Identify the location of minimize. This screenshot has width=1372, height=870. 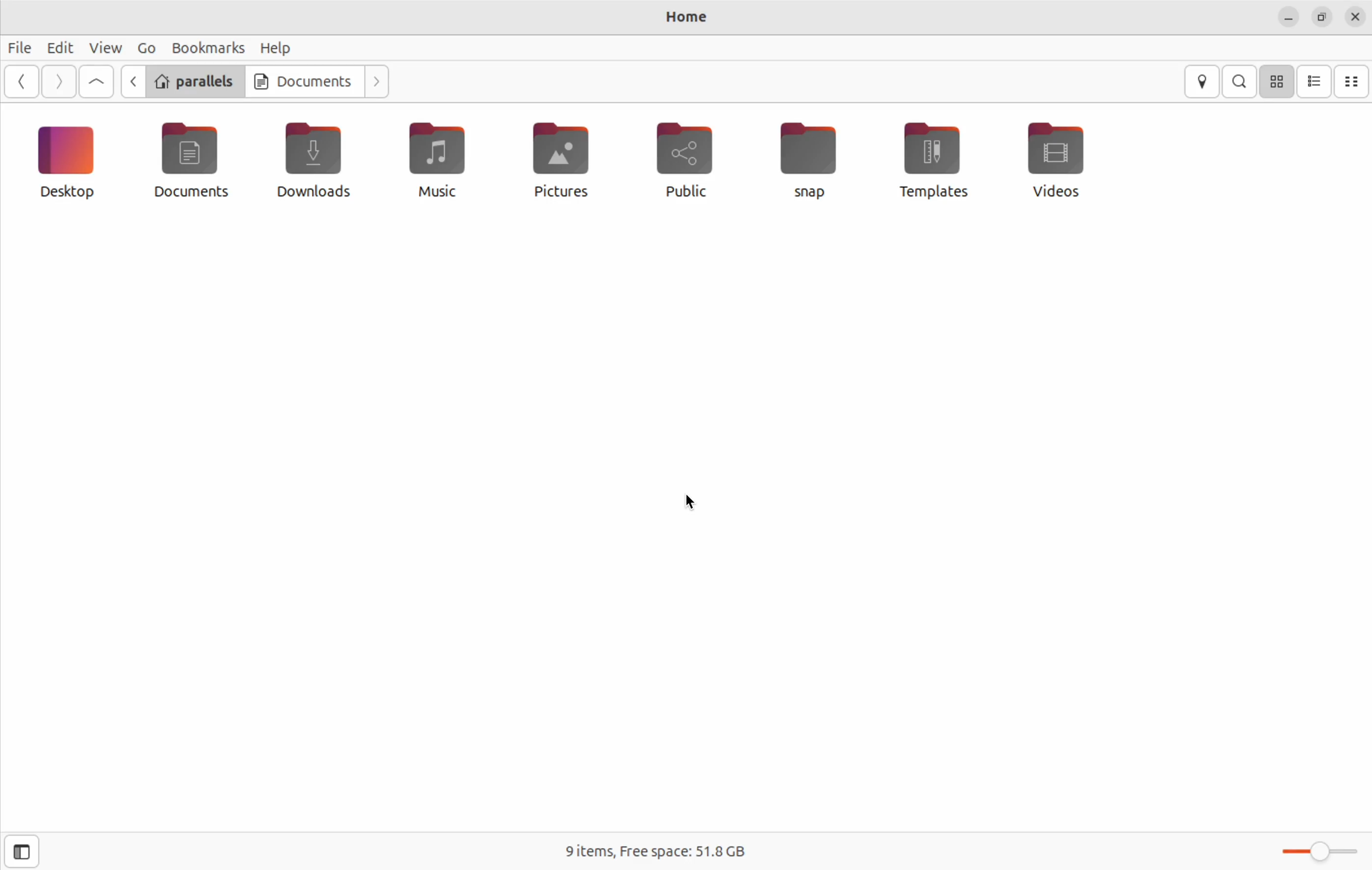
(1288, 19).